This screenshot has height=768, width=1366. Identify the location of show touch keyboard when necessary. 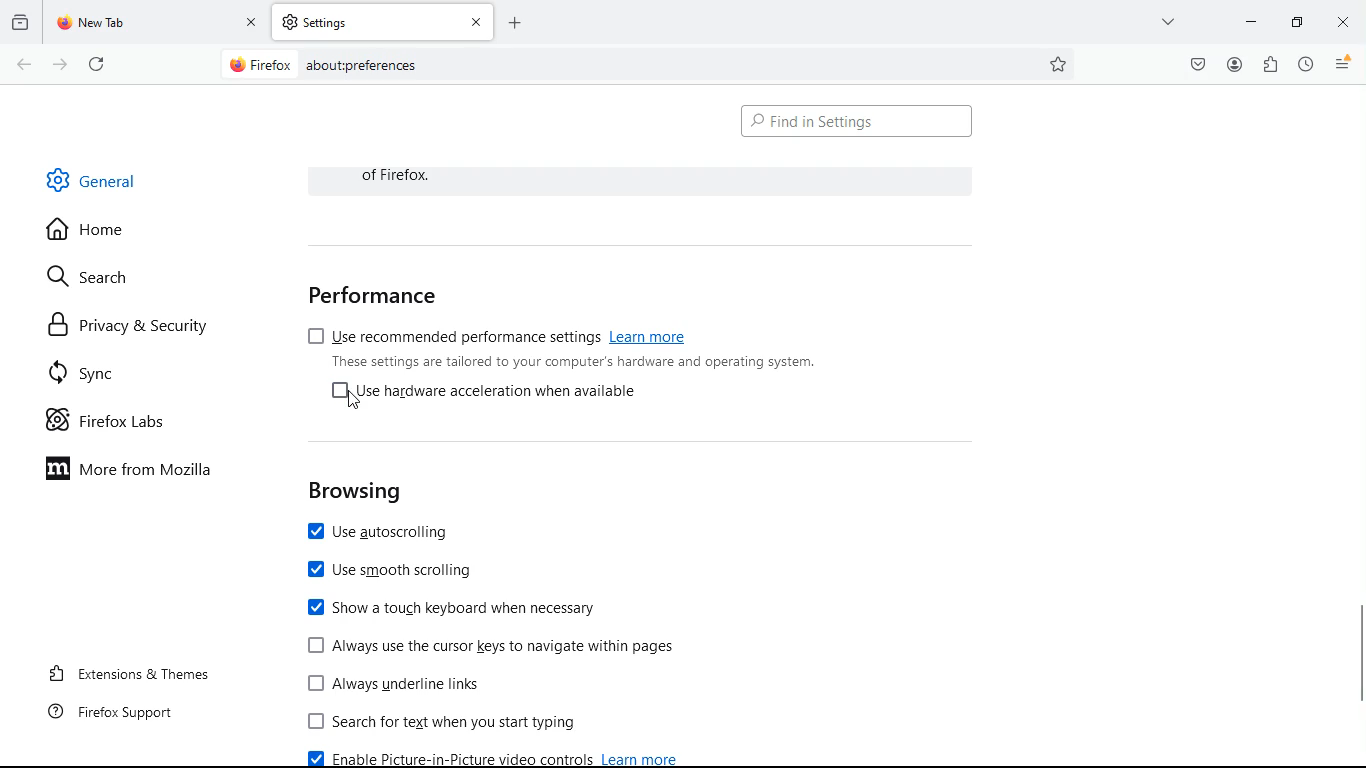
(452, 606).